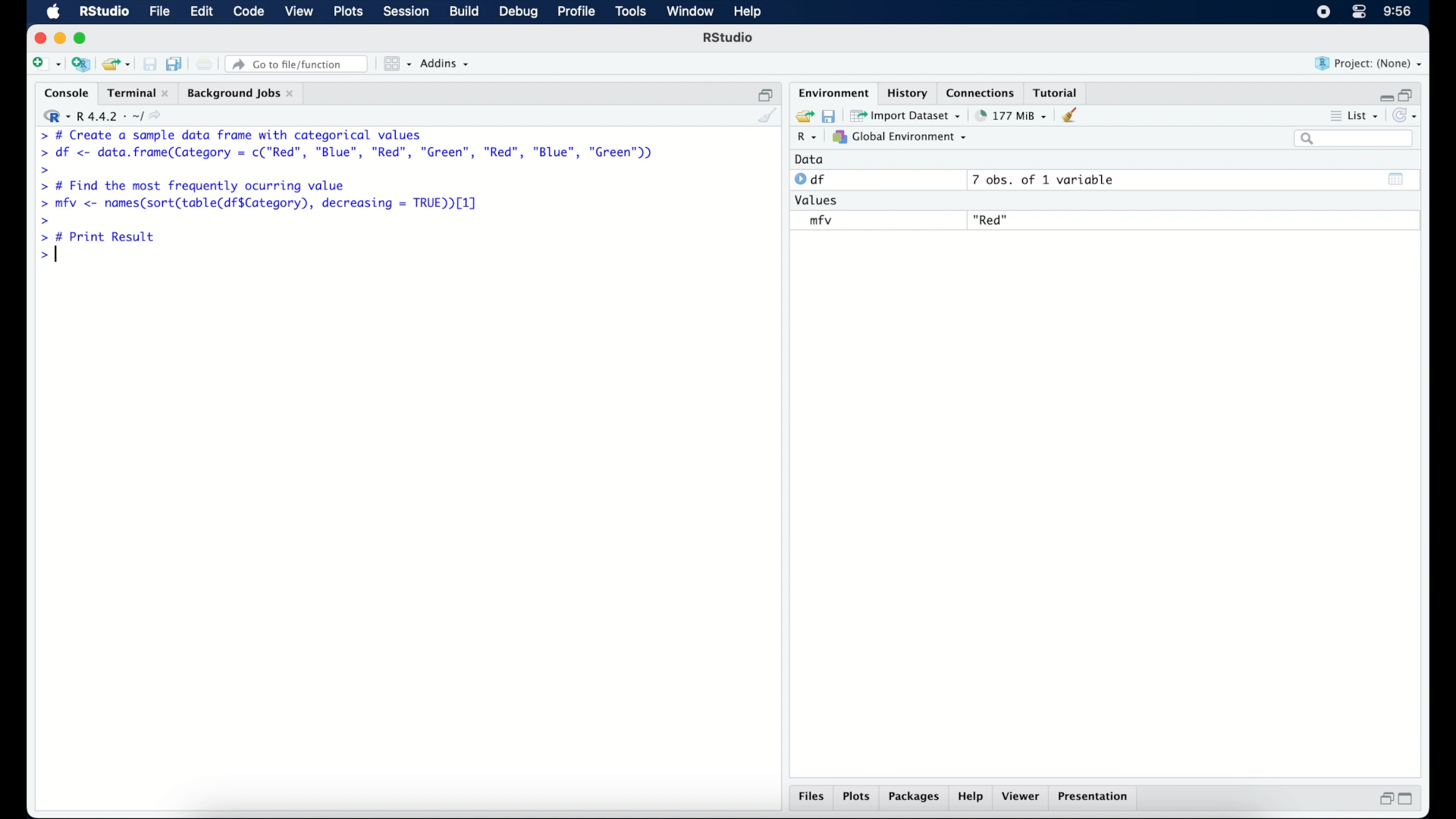 The width and height of the screenshot is (1456, 819). Describe the element at coordinates (1012, 115) in the screenshot. I see `142 MB` at that location.